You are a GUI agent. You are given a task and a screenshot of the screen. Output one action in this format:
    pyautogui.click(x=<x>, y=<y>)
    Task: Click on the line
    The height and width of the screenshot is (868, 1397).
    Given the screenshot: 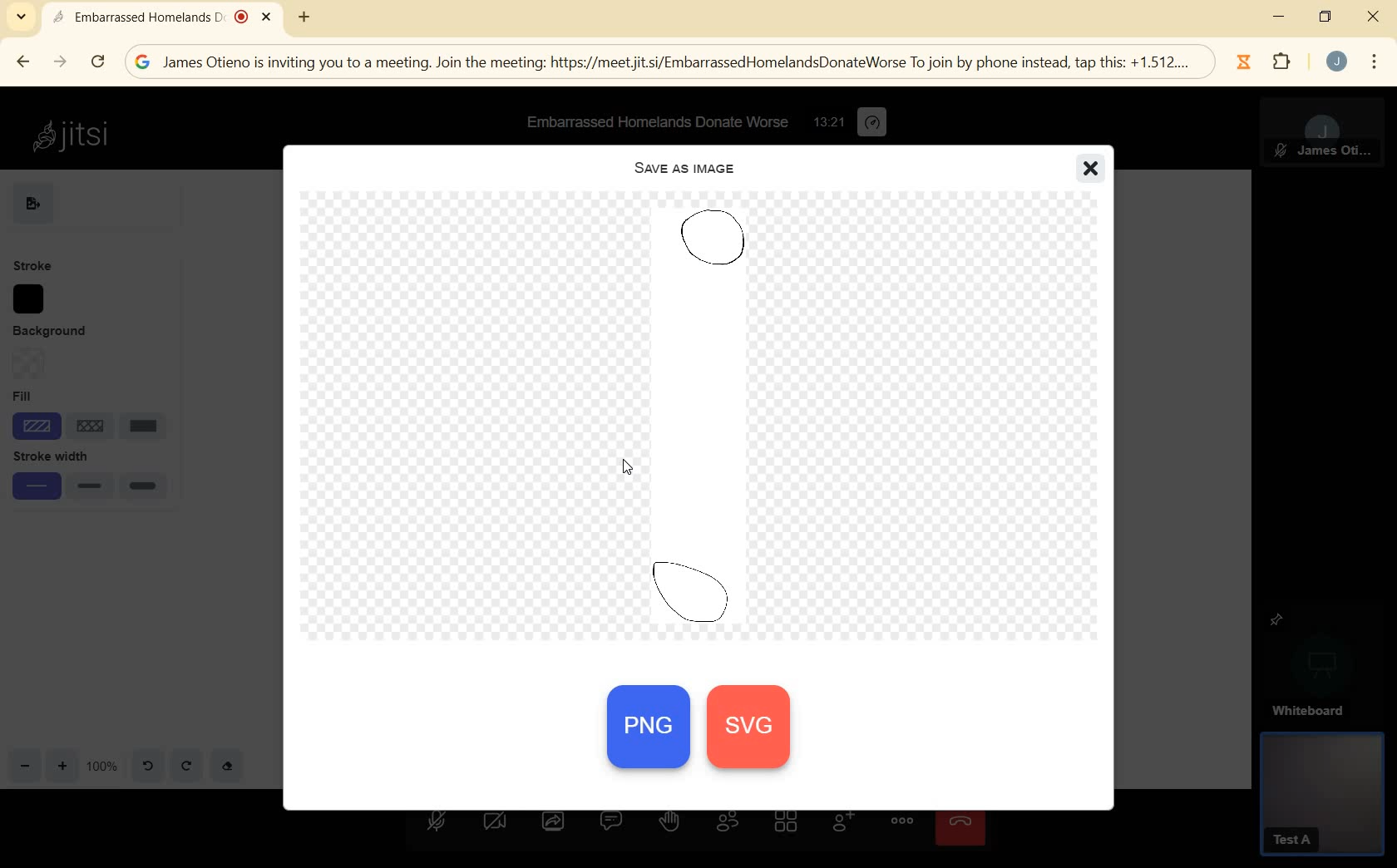 What is the action you would take?
    pyautogui.click(x=92, y=426)
    